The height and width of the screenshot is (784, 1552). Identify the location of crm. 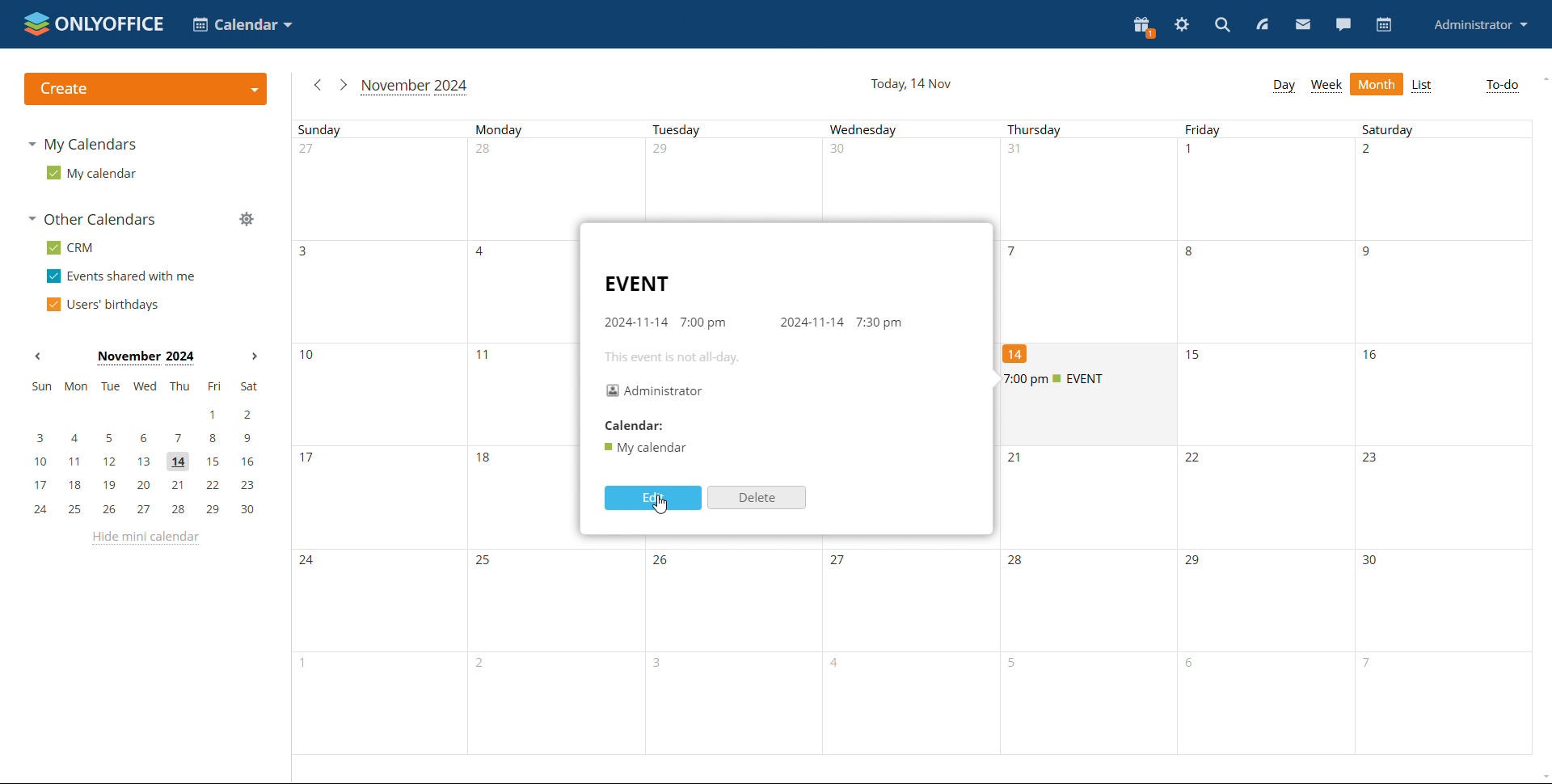
(70, 248).